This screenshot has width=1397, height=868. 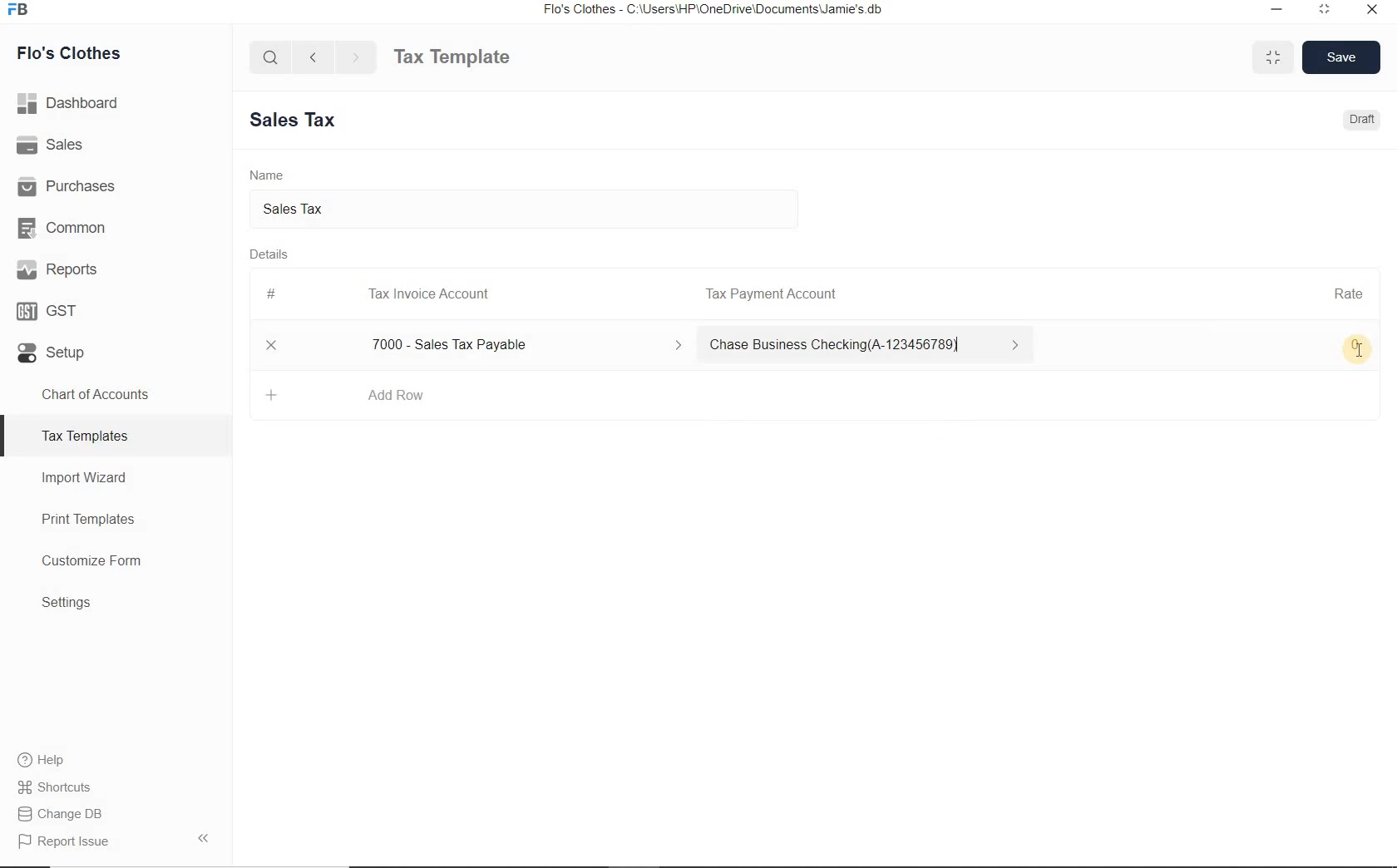 What do you see at coordinates (1348, 292) in the screenshot?
I see `Rate` at bounding box center [1348, 292].